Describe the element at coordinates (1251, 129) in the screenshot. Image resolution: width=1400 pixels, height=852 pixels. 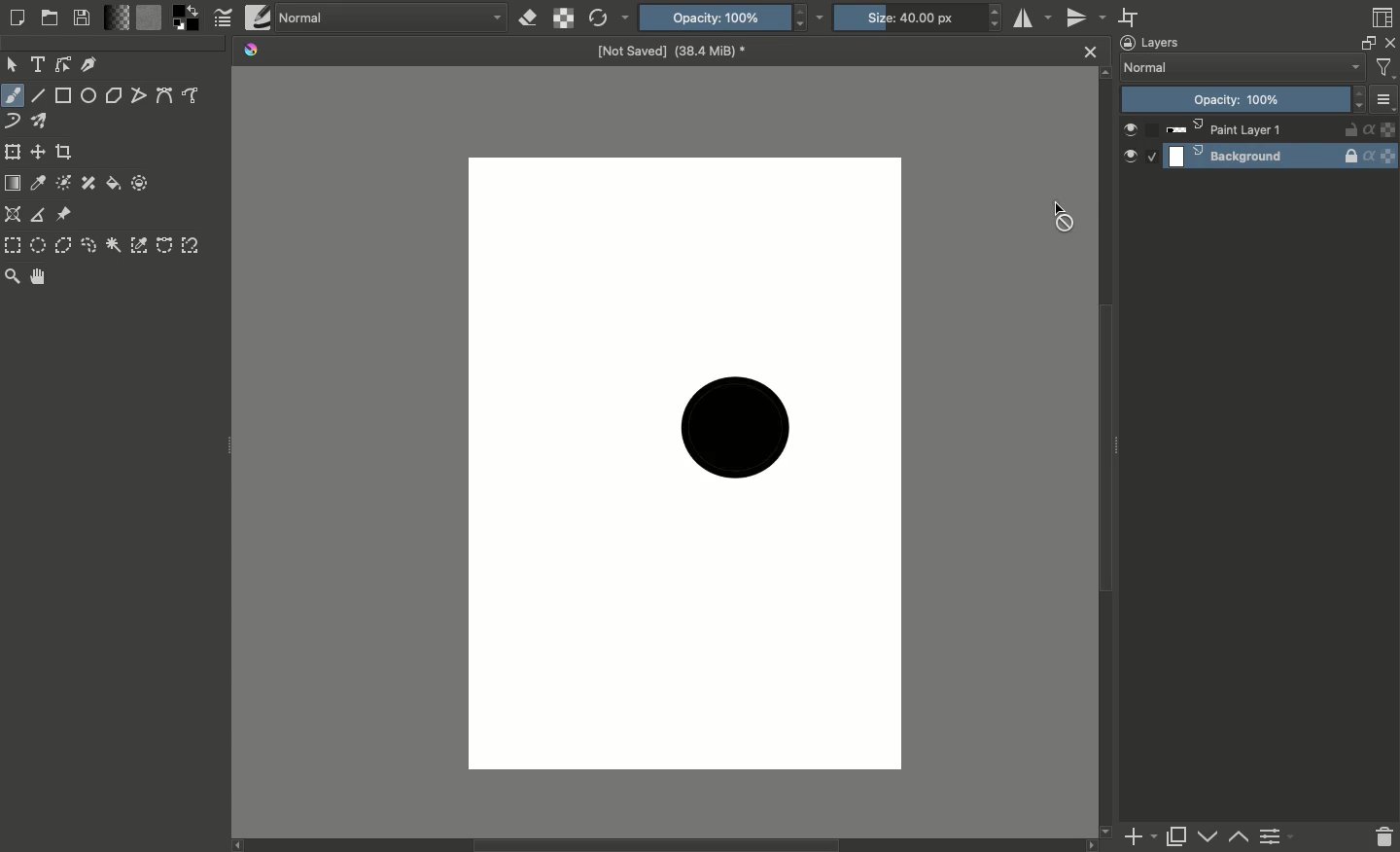
I see `Paint layer` at that location.